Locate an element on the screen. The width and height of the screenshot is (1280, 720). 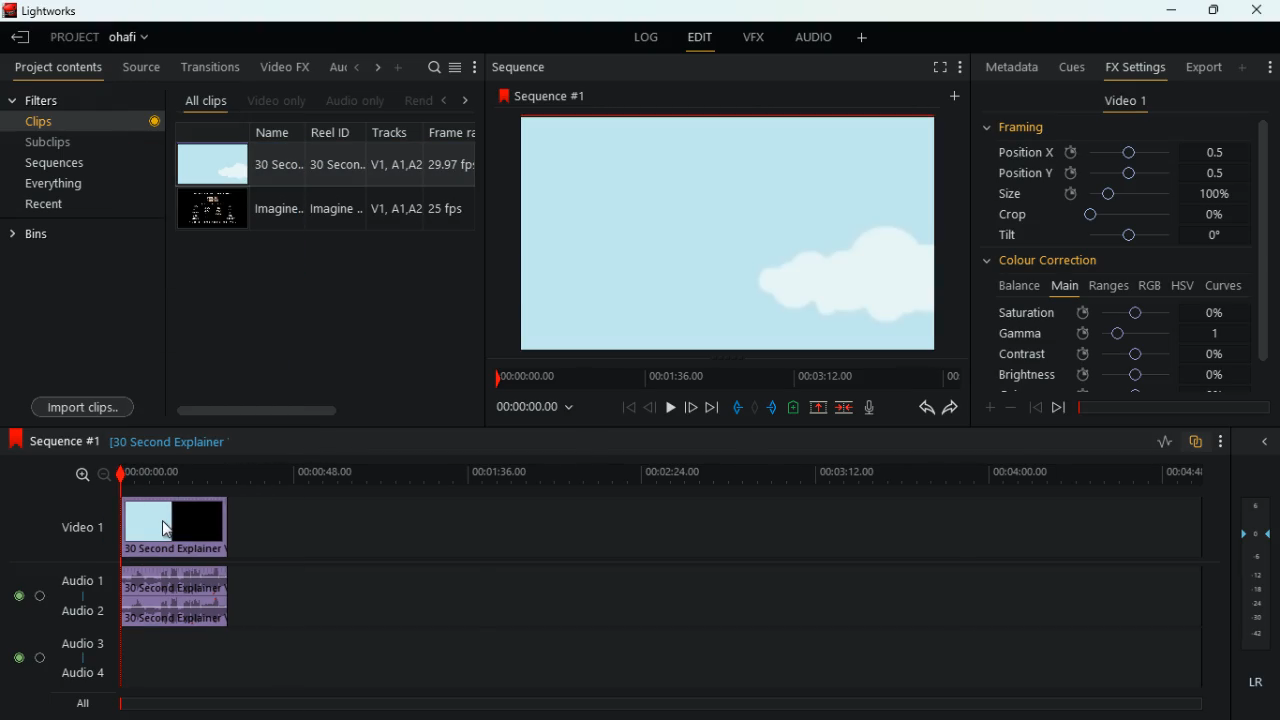
zoom is located at coordinates (91, 475).